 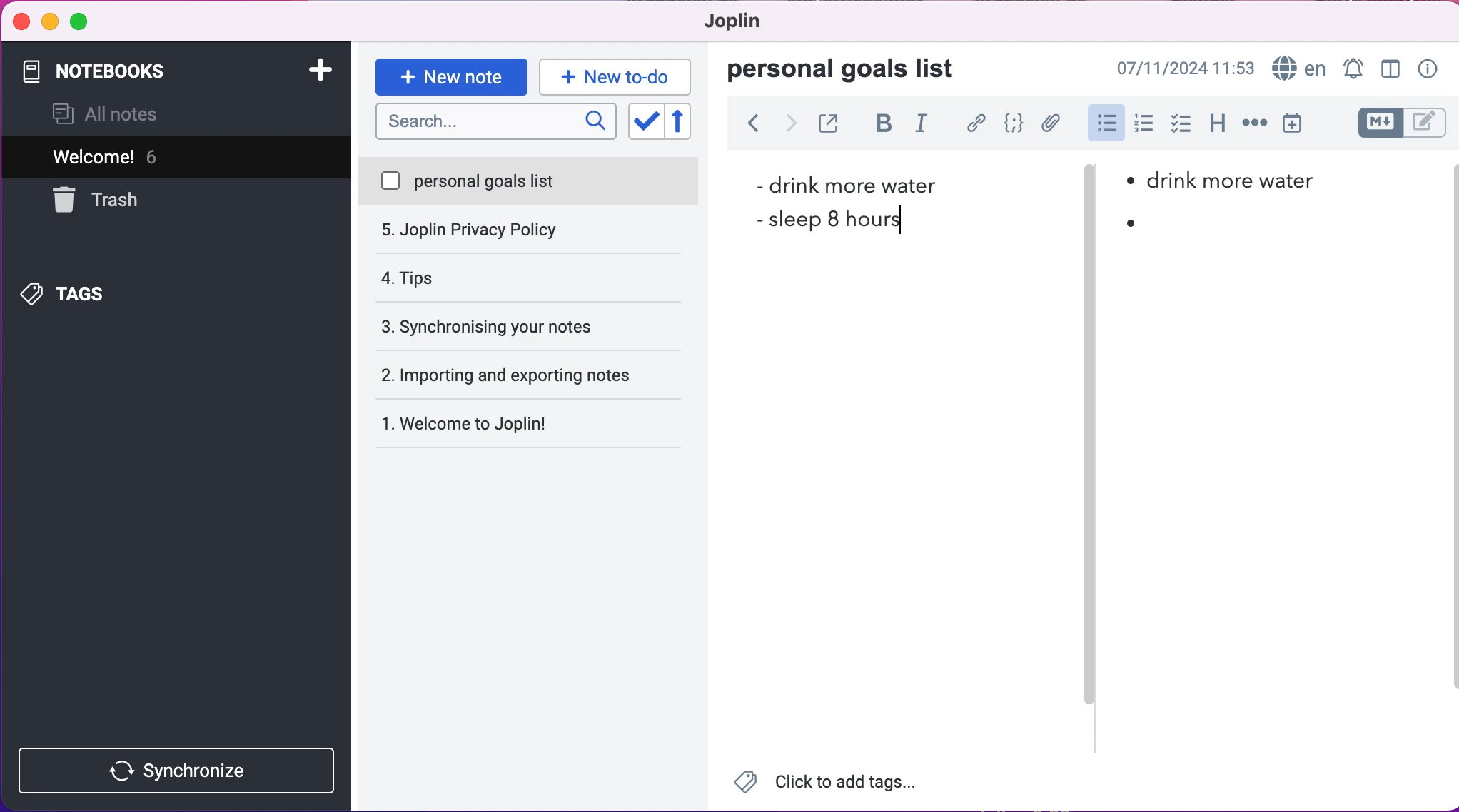 What do you see at coordinates (1217, 127) in the screenshot?
I see `heading` at bounding box center [1217, 127].